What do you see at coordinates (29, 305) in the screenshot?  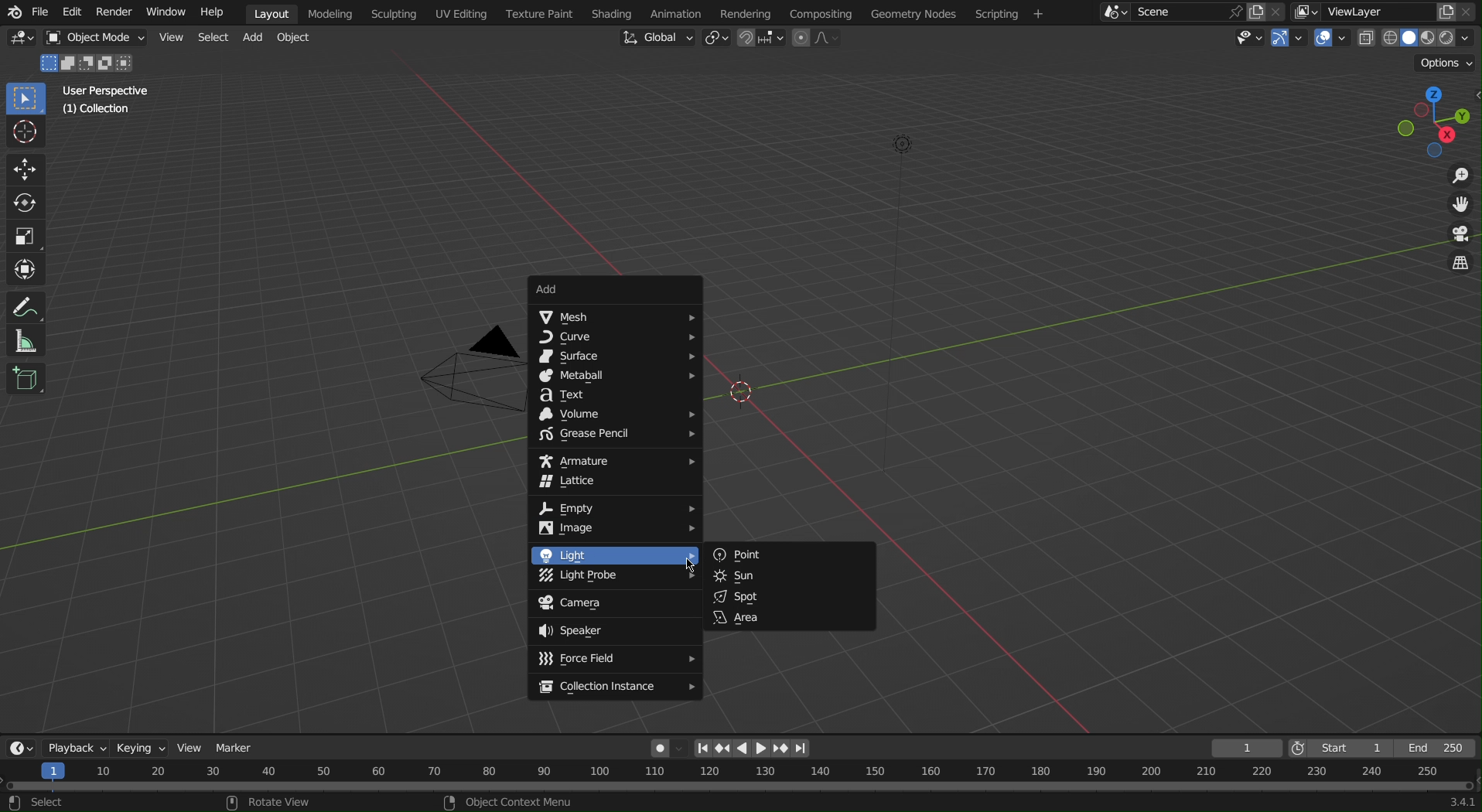 I see `Annotate` at bounding box center [29, 305].